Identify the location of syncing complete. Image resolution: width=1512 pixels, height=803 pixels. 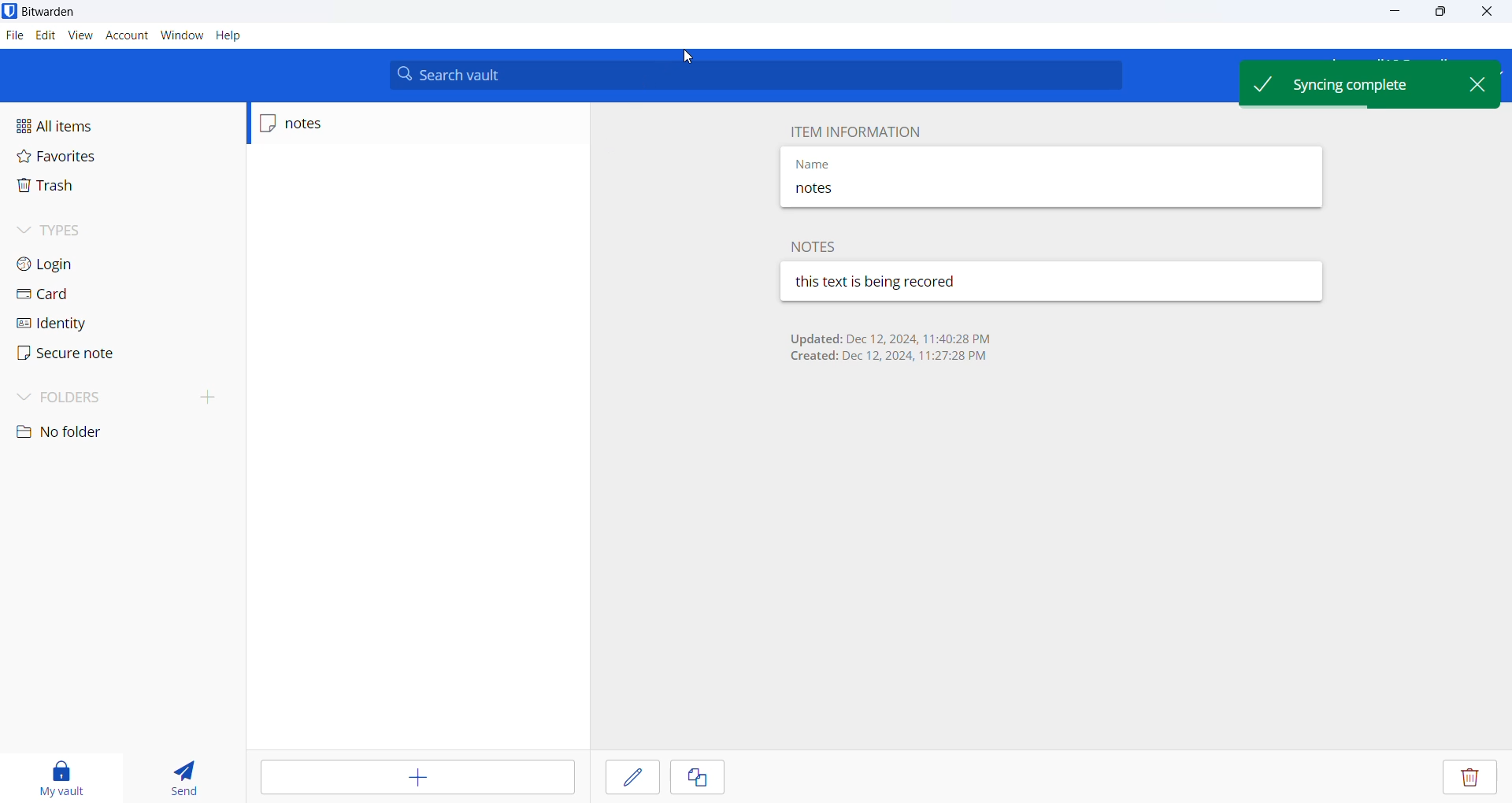
(1346, 82).